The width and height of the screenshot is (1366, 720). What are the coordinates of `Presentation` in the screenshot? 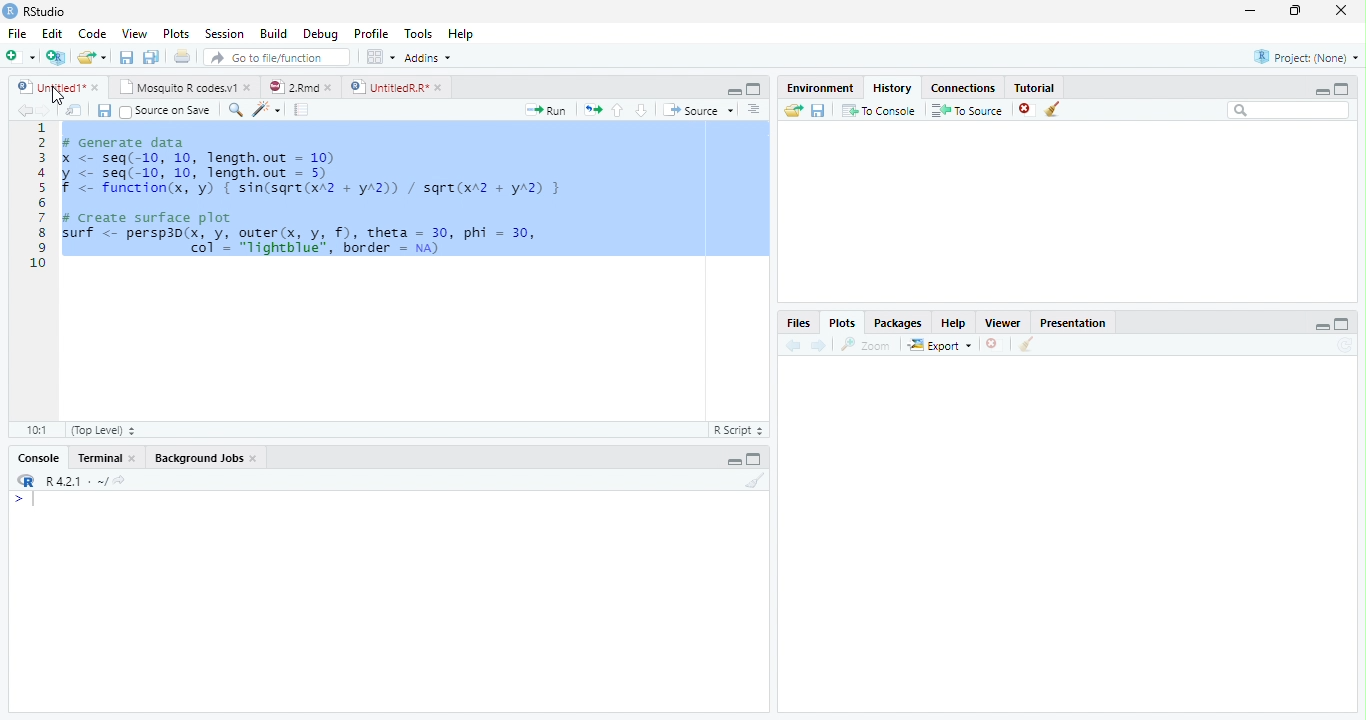 It's located at (1073, 322).